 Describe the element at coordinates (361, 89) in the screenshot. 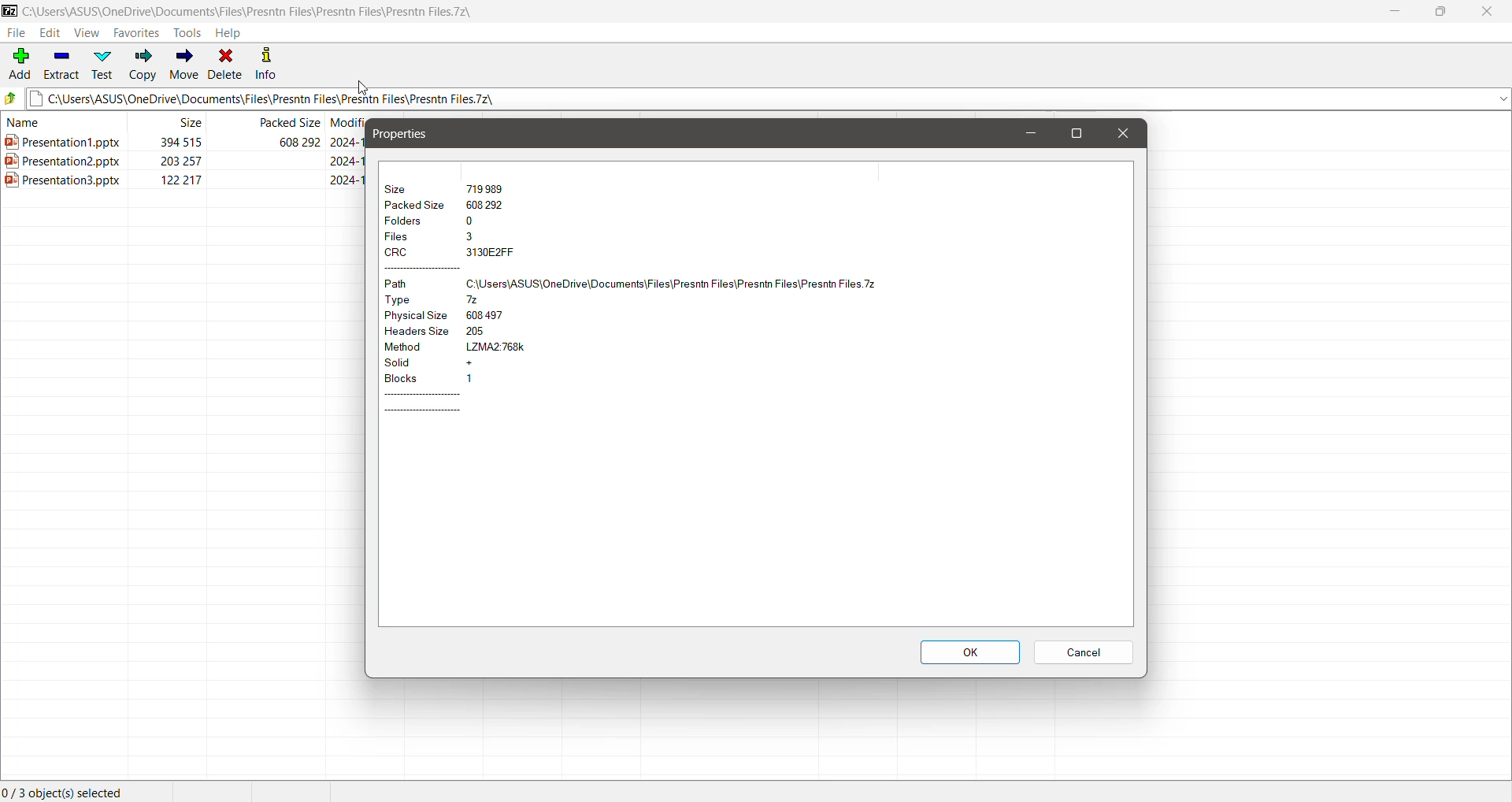

I see `Cursor` at that location.